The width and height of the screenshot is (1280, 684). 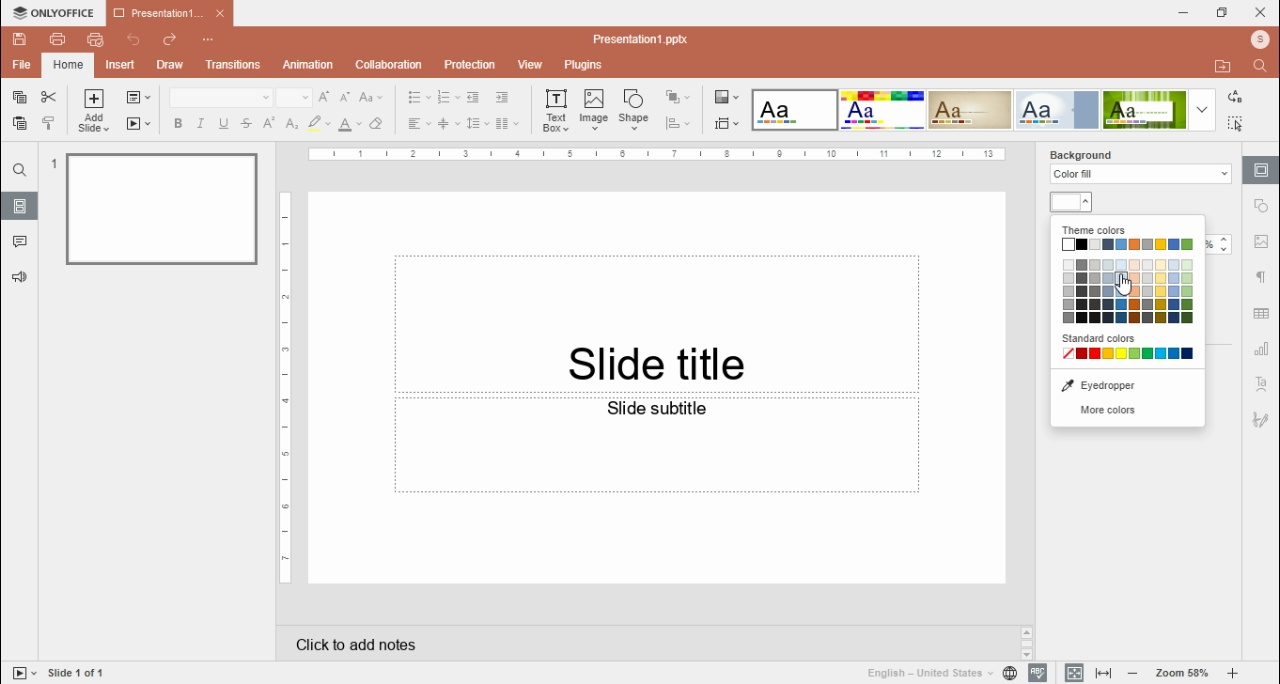 I want to click on theme 3, so click(x=971, y=110).